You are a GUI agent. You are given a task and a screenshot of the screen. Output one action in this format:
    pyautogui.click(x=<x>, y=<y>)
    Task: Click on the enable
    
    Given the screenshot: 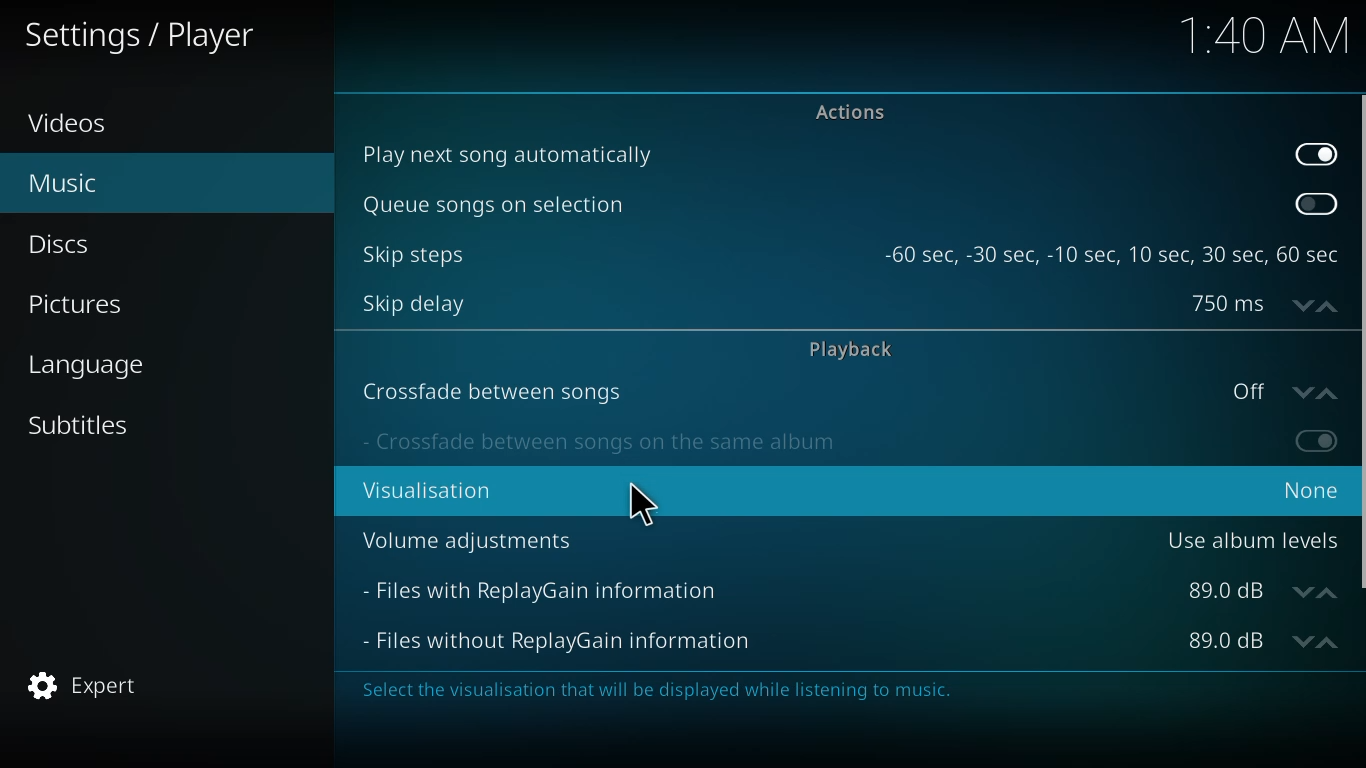 What is the action you would take?
    pyautogui.click(x=1312, y=205)
    